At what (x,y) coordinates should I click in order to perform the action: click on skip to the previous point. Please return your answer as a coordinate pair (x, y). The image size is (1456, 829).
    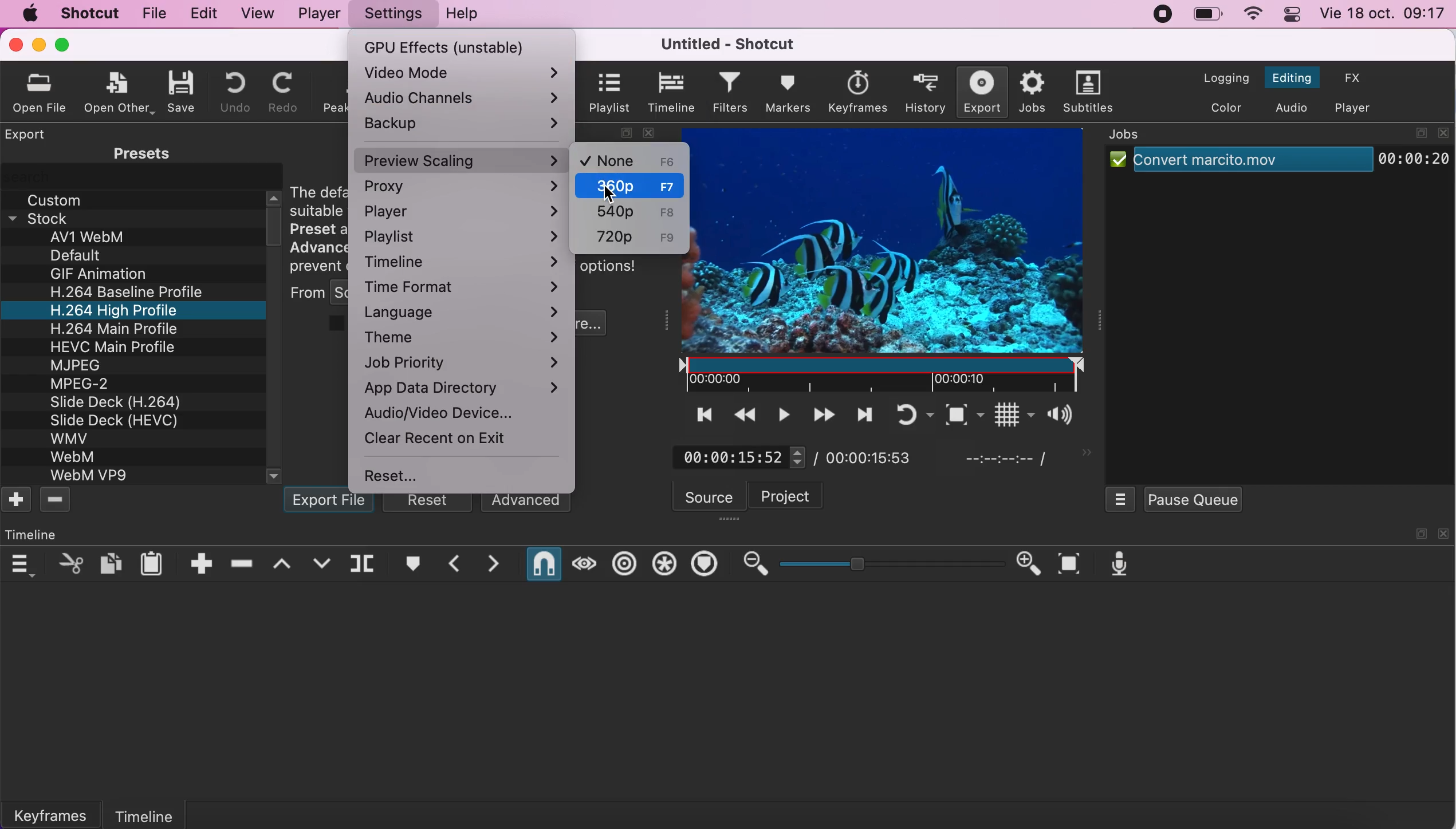
    Looking at the image, I should click on (698, 414).